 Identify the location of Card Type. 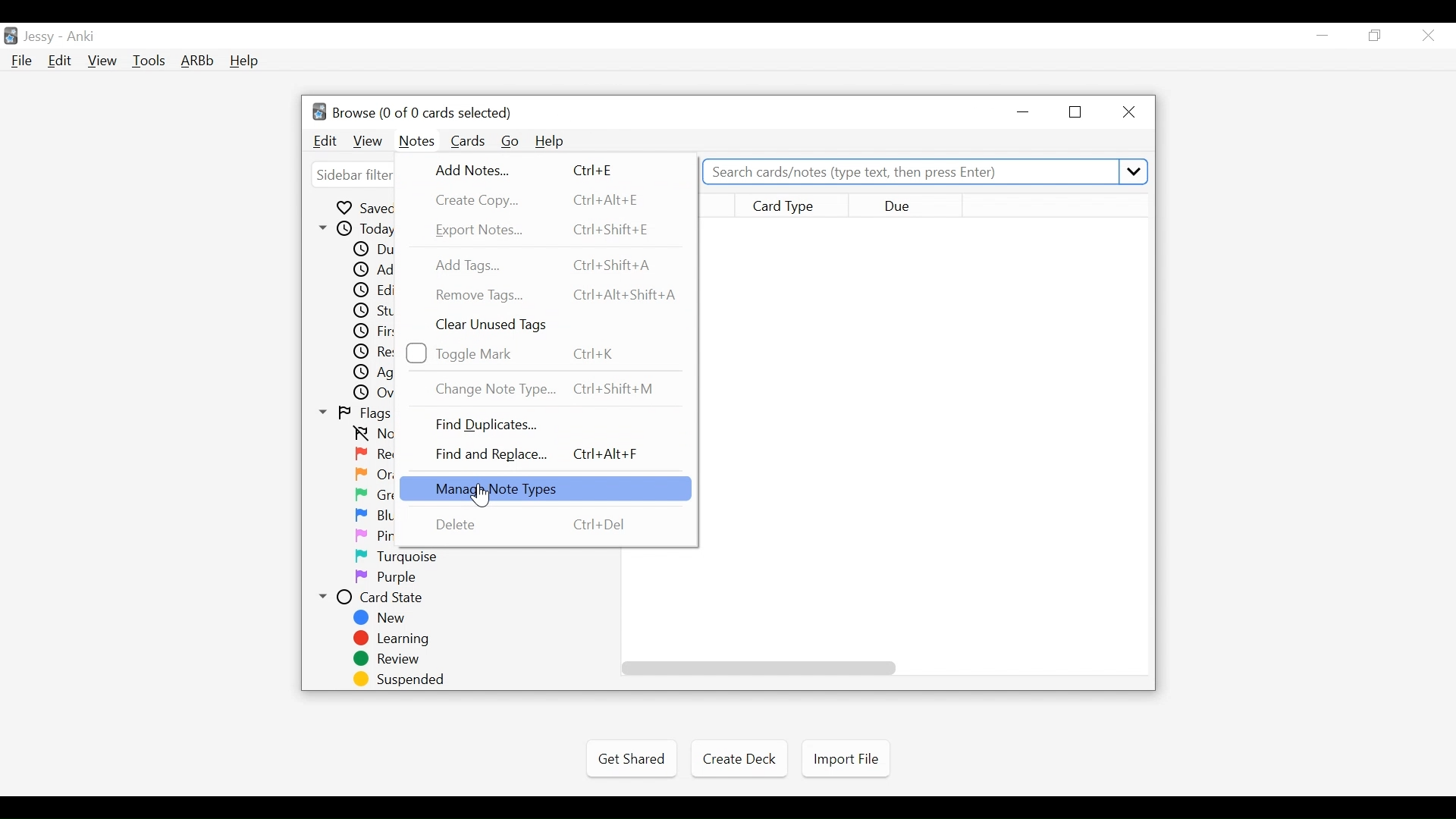
(792, 205).